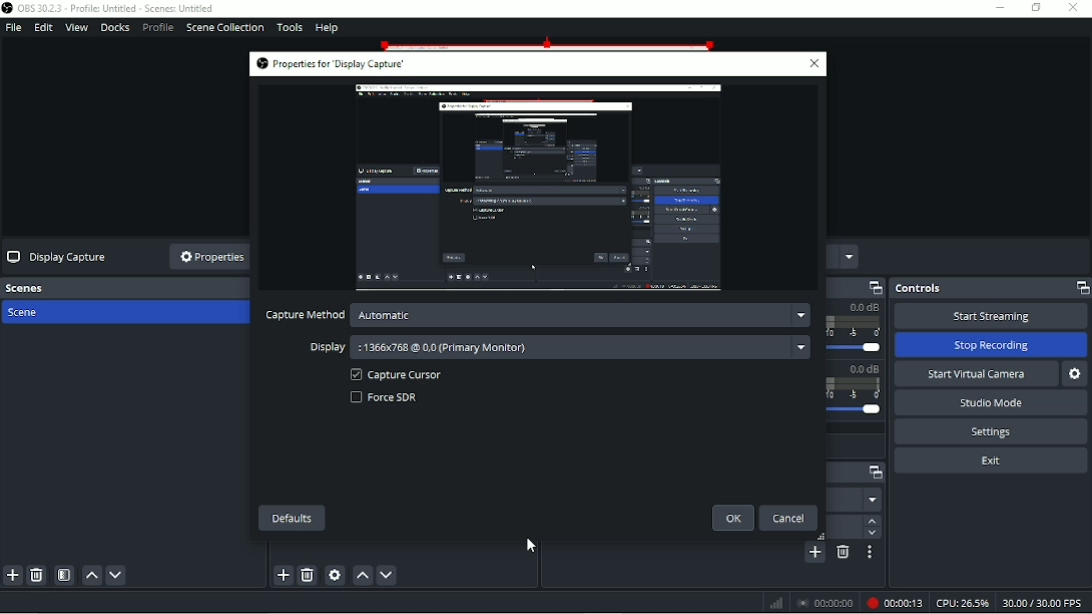 The image size is (1092, 614). I want to click on Start streaming, so click(991, 316).